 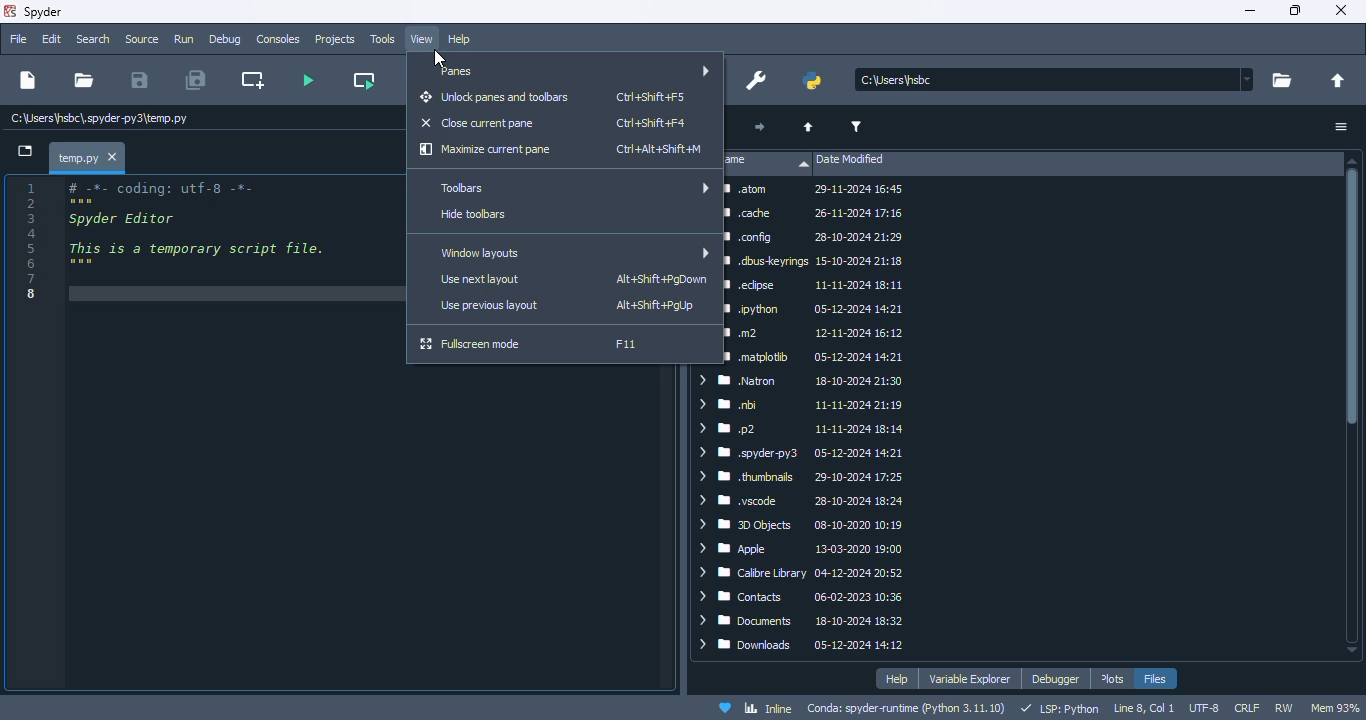 I want to click on help, so click(x=897, y=679).